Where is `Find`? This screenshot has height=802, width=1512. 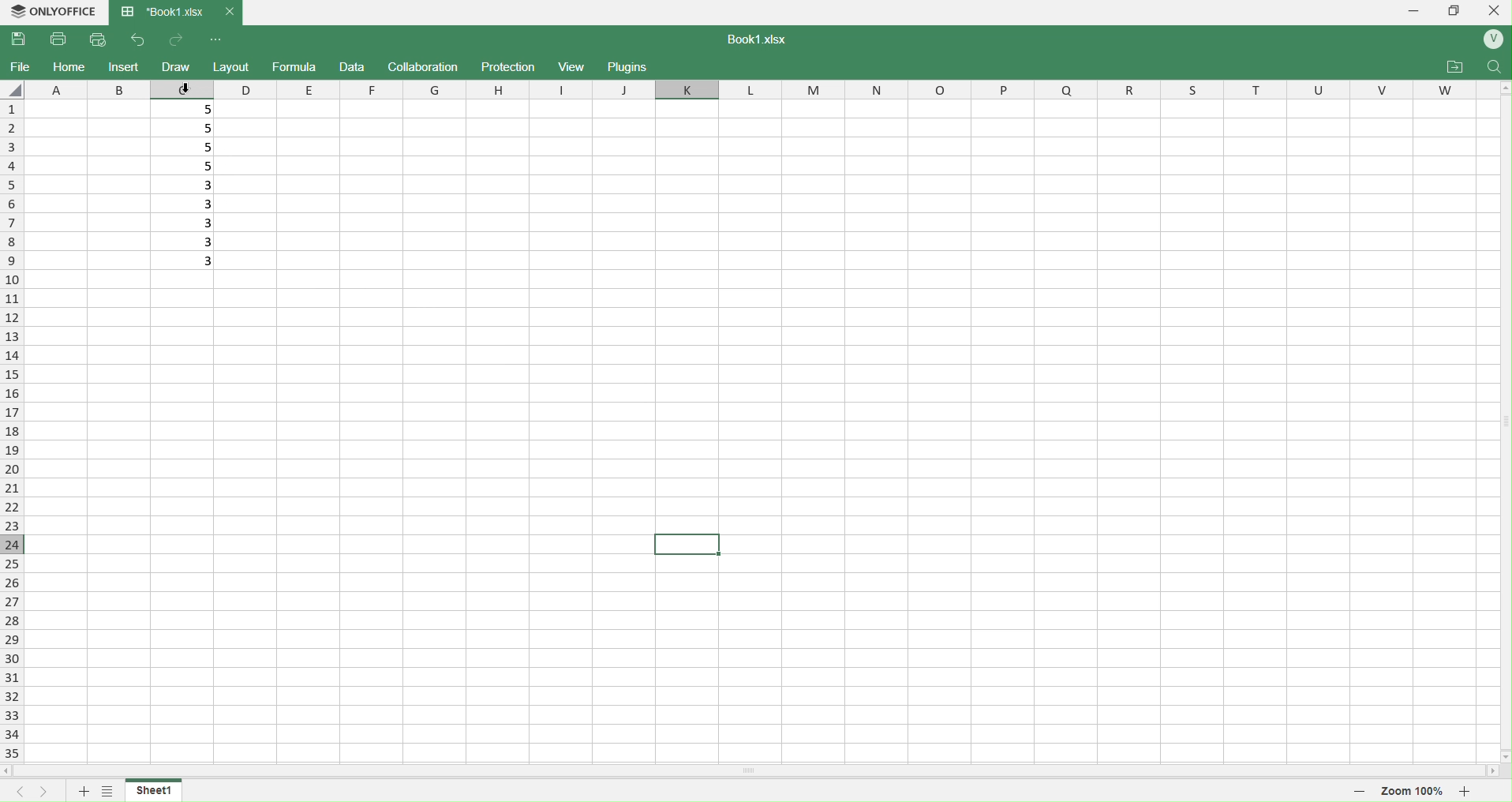
Find is located at coordinates (1492, 68).